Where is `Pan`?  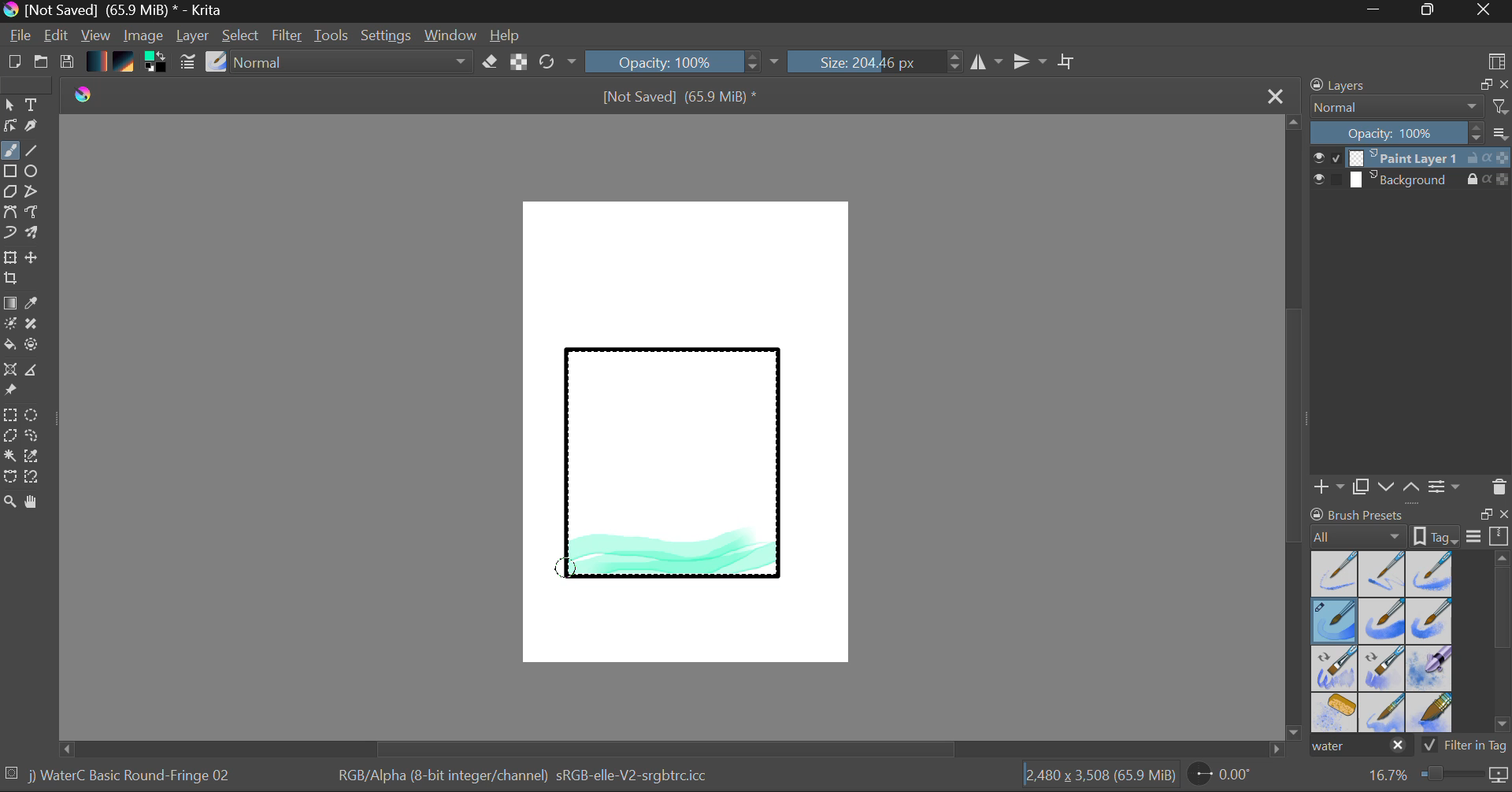 Pan is located at coordinates (37, 505).